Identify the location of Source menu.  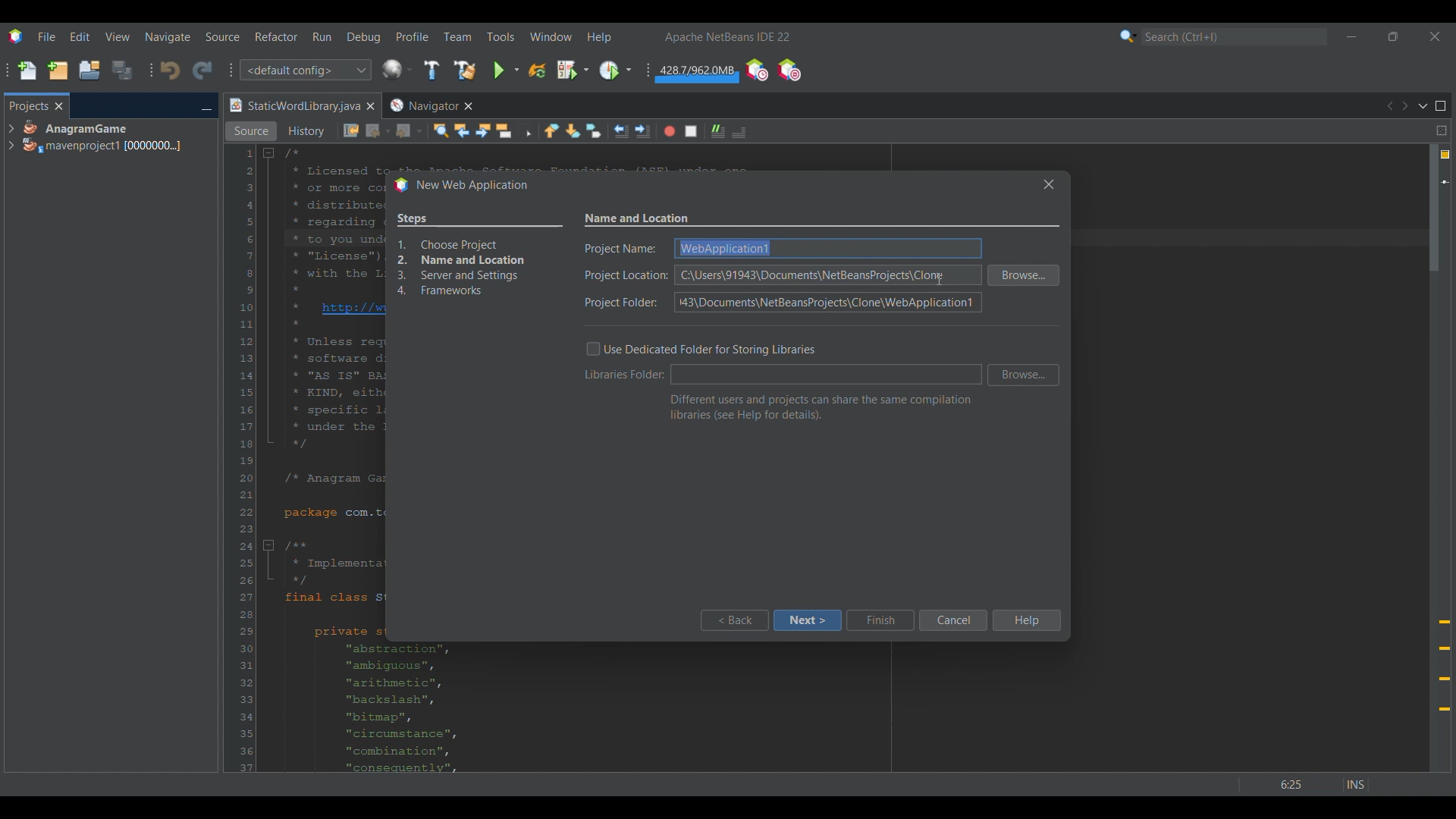
(223, 36).